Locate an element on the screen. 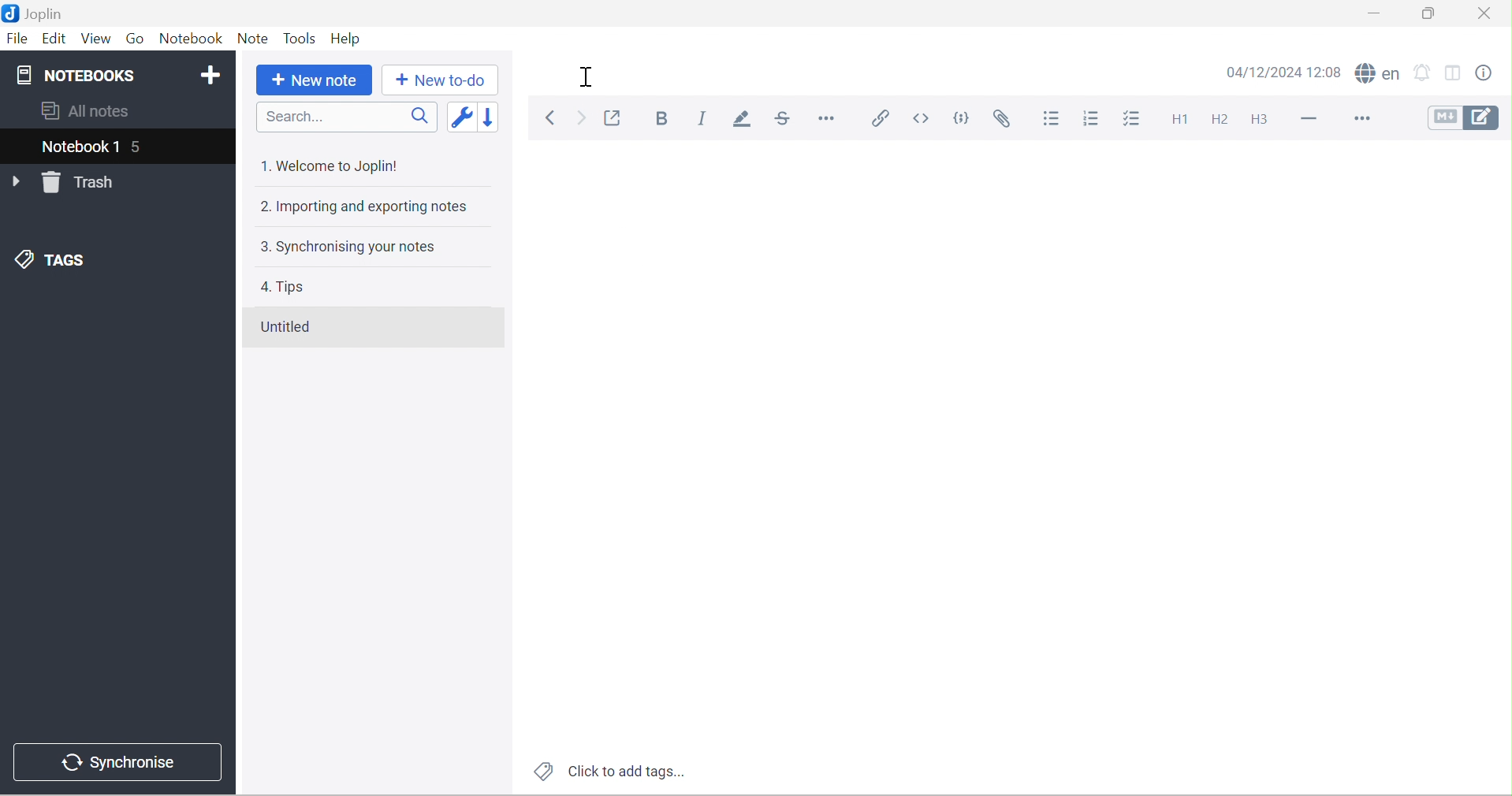 The height and width of the screenshot is (796, 1512). All notes is located at coordinates (86, 111).